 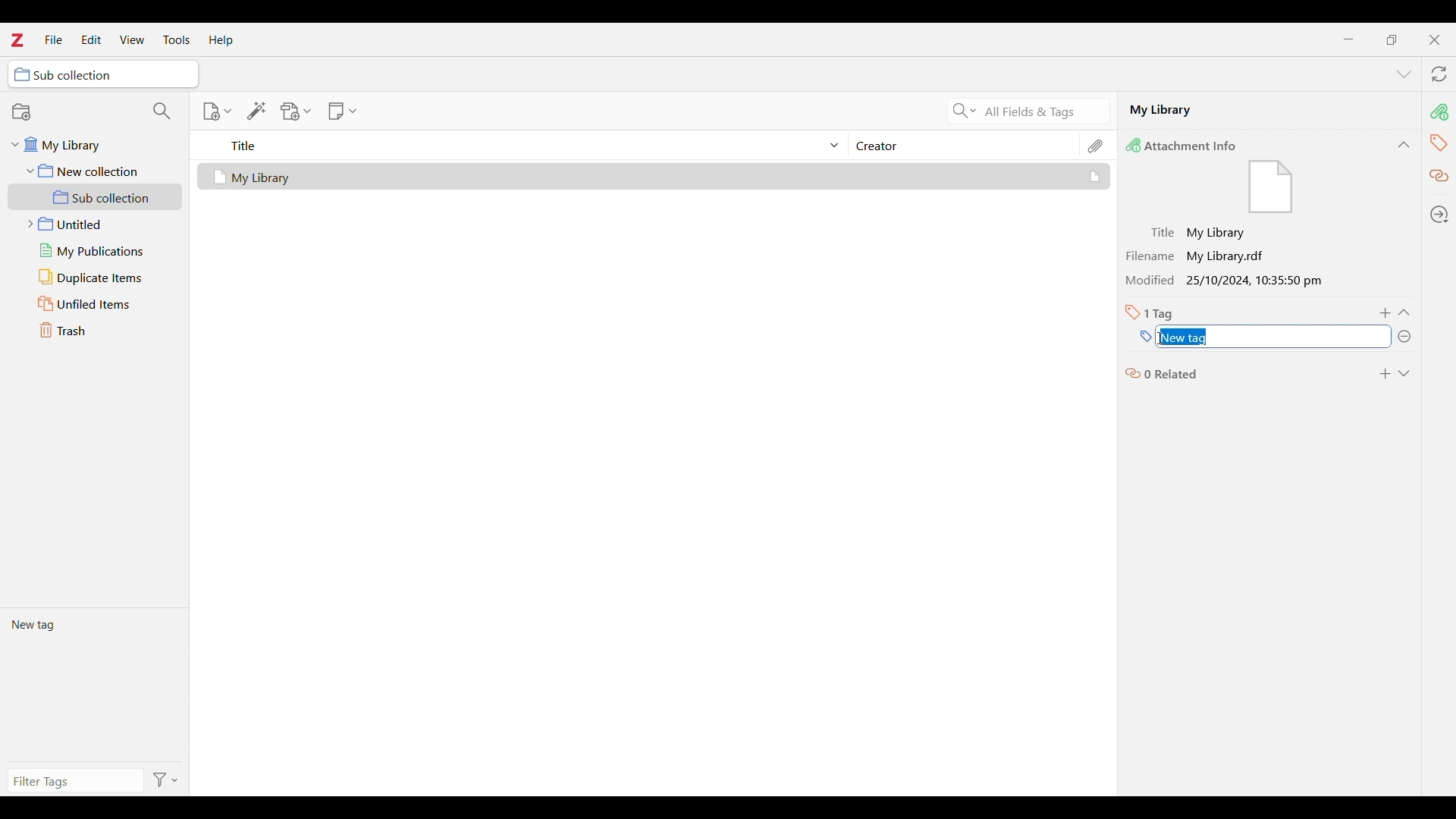 What do you see at coordinates (1160, 338) in the screenshot?
I see `Cursor position unchanged, caps lock selected` at bounding box center [1160, 338].